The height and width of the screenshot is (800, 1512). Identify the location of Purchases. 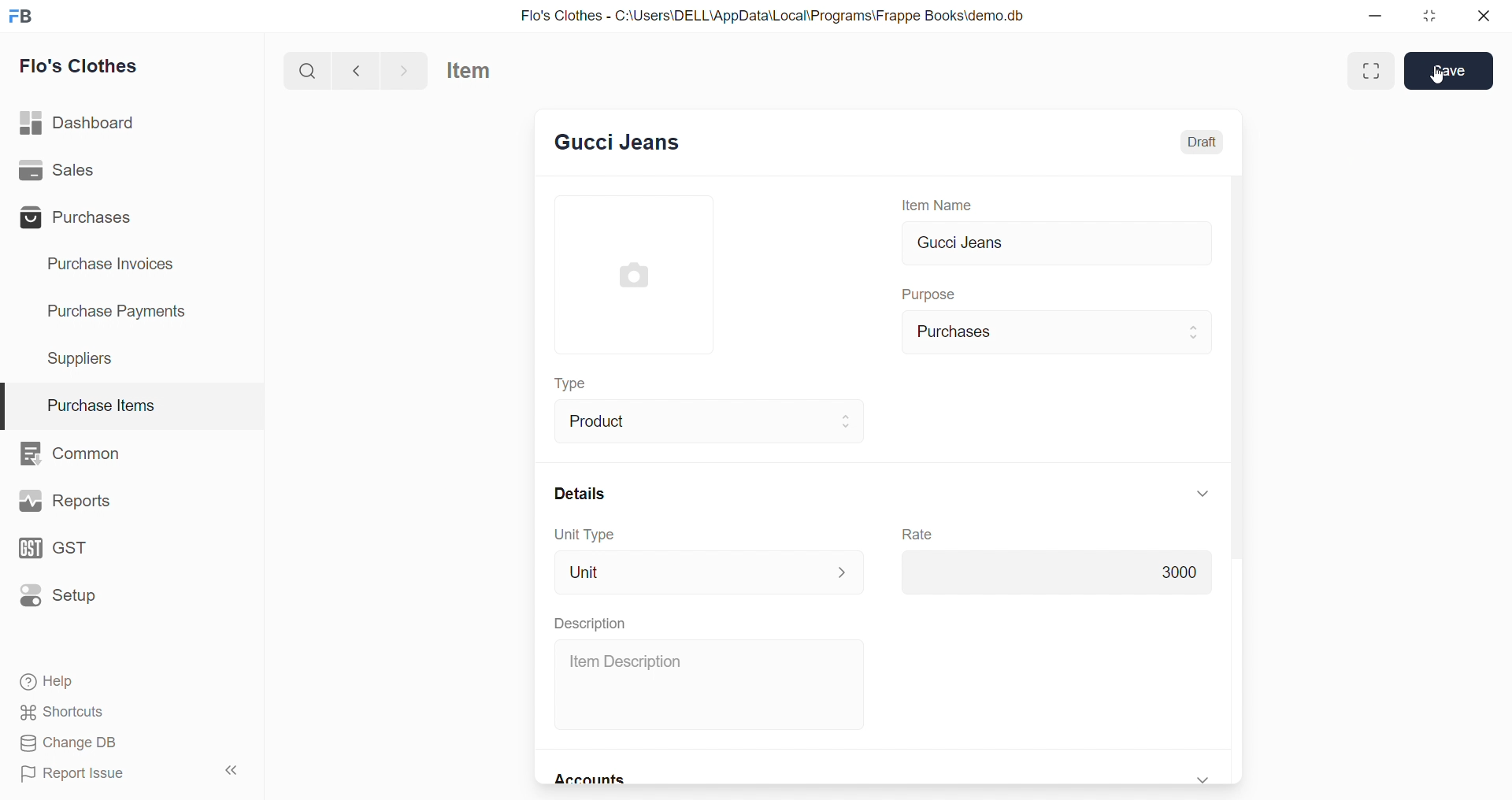
(1058, 332).